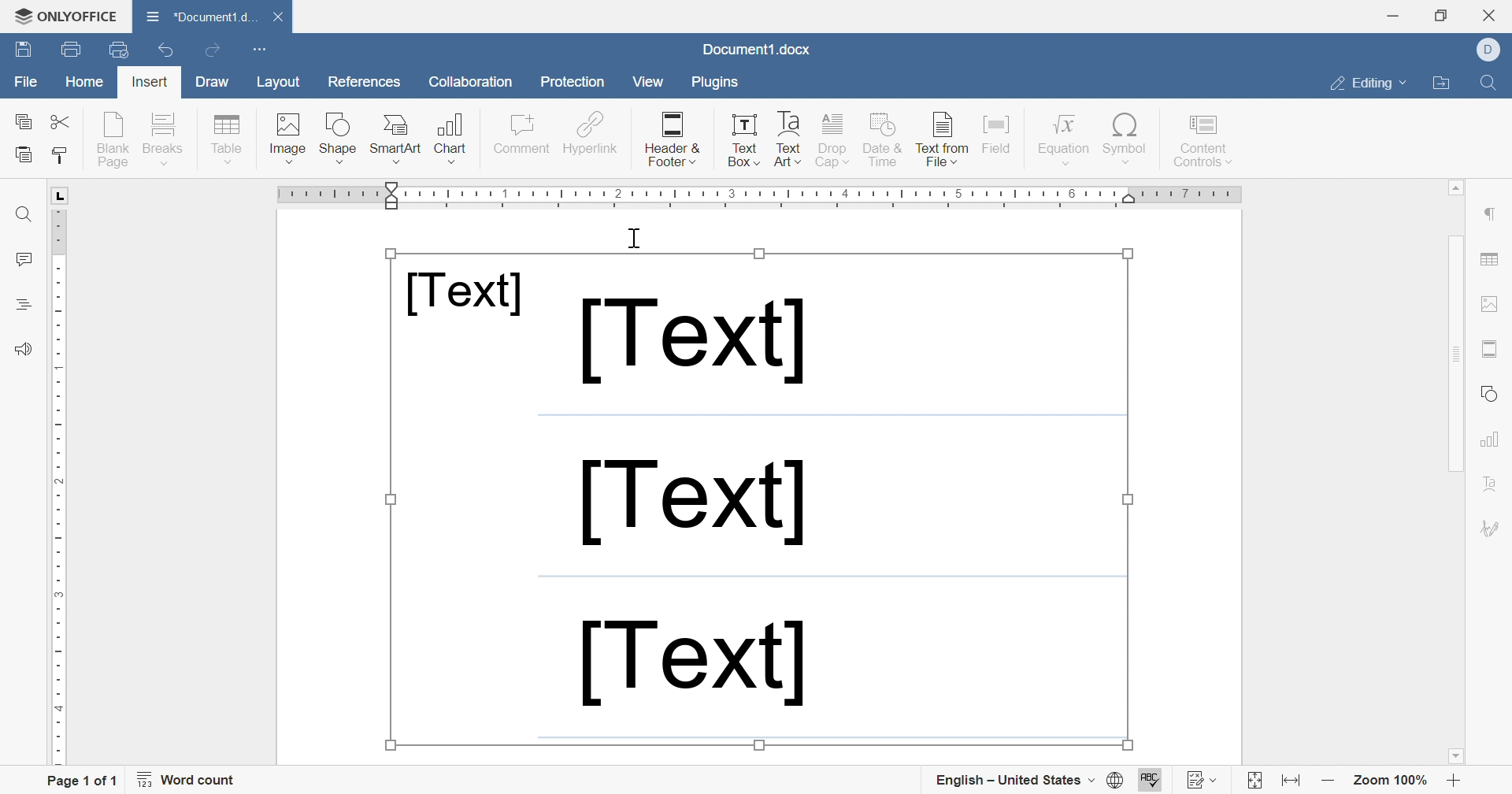 The height and width of the screenshot is (794, 1512). I want to click on Protection, so click(571, 82).